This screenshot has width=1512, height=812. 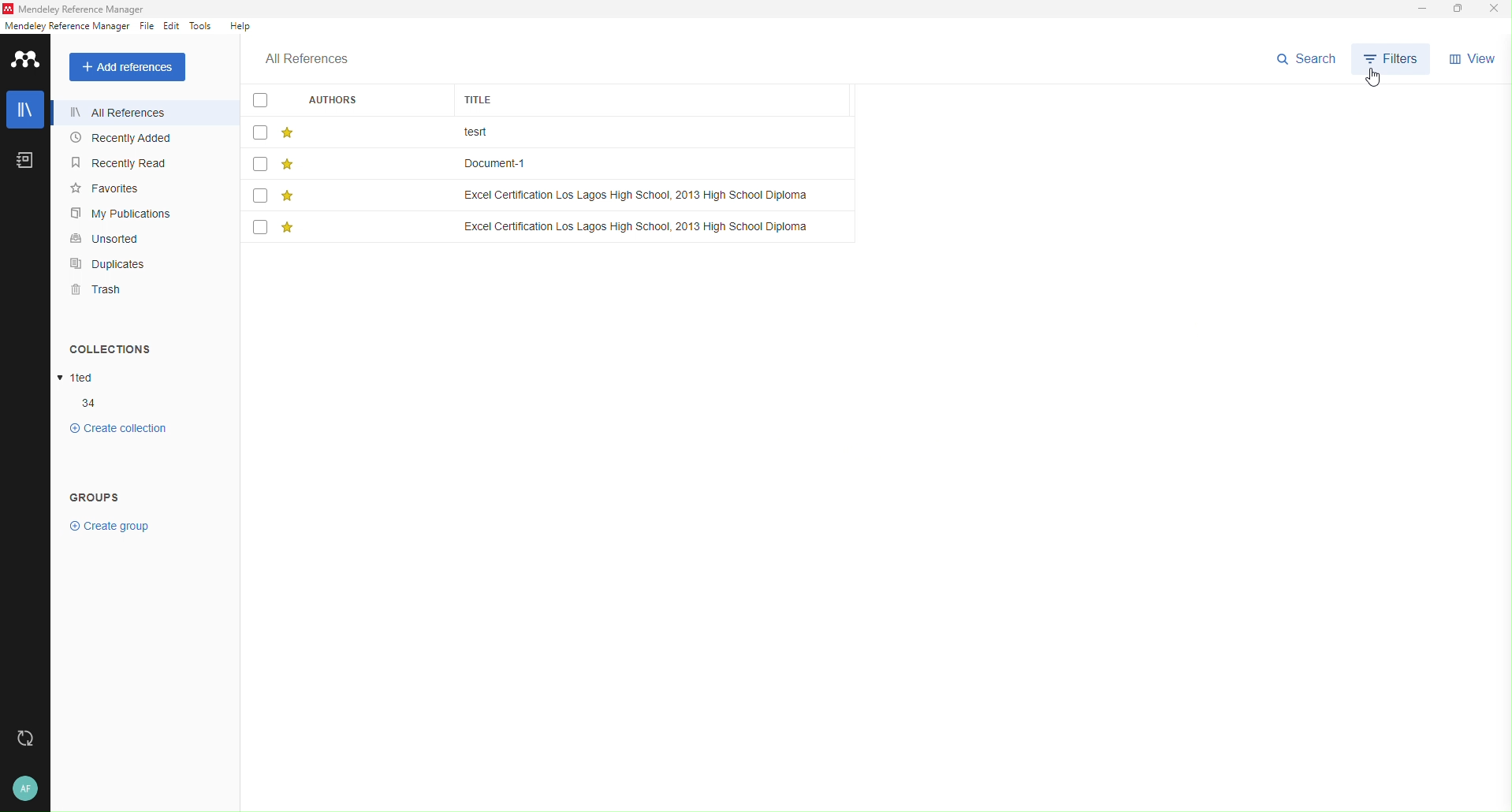 What do you see at coordinates (87, 8) in the screenshot?
I see `Mendeley Reference Manager` at bounding box center [87, 8].